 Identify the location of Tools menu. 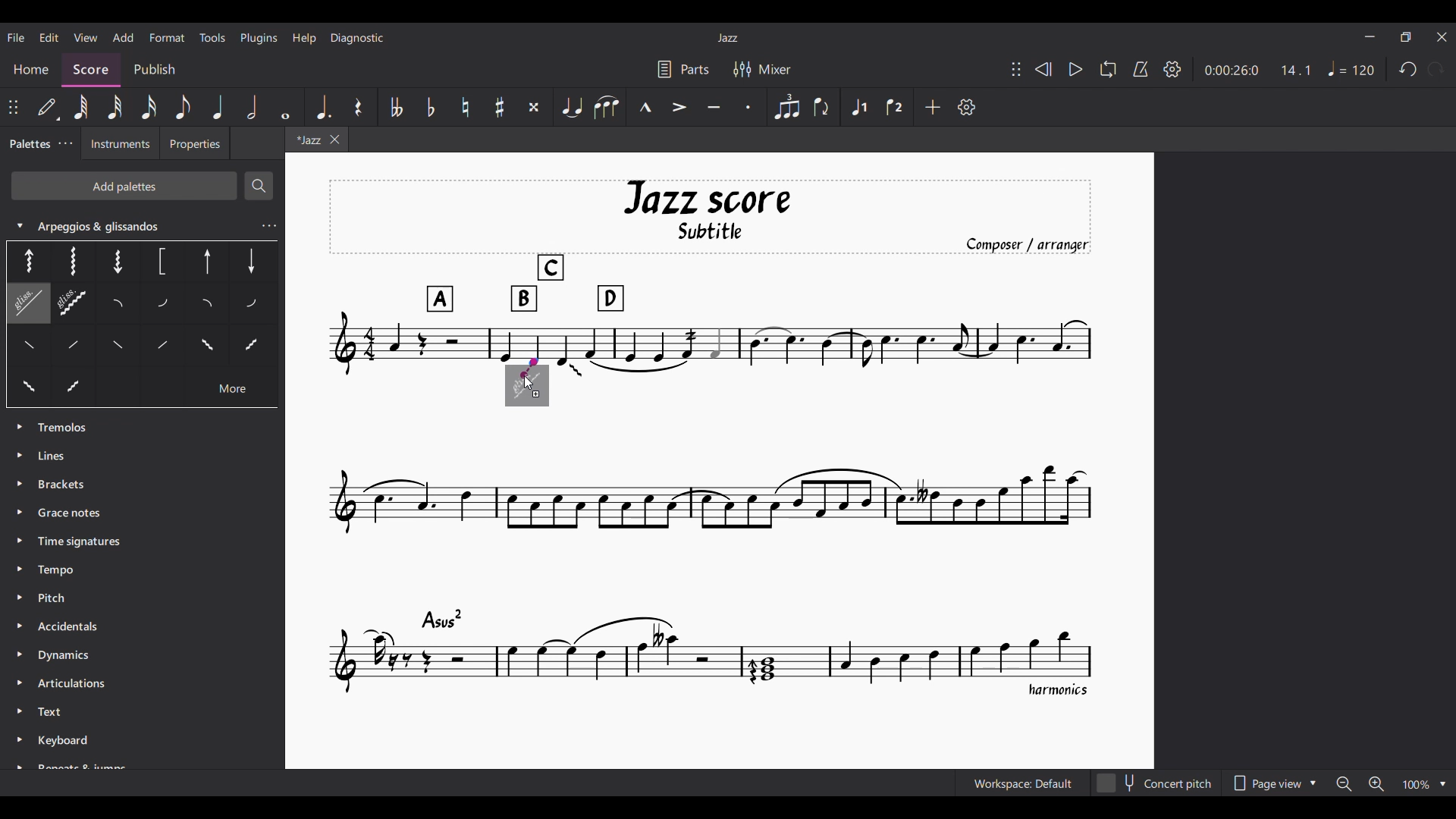
(213, 37).